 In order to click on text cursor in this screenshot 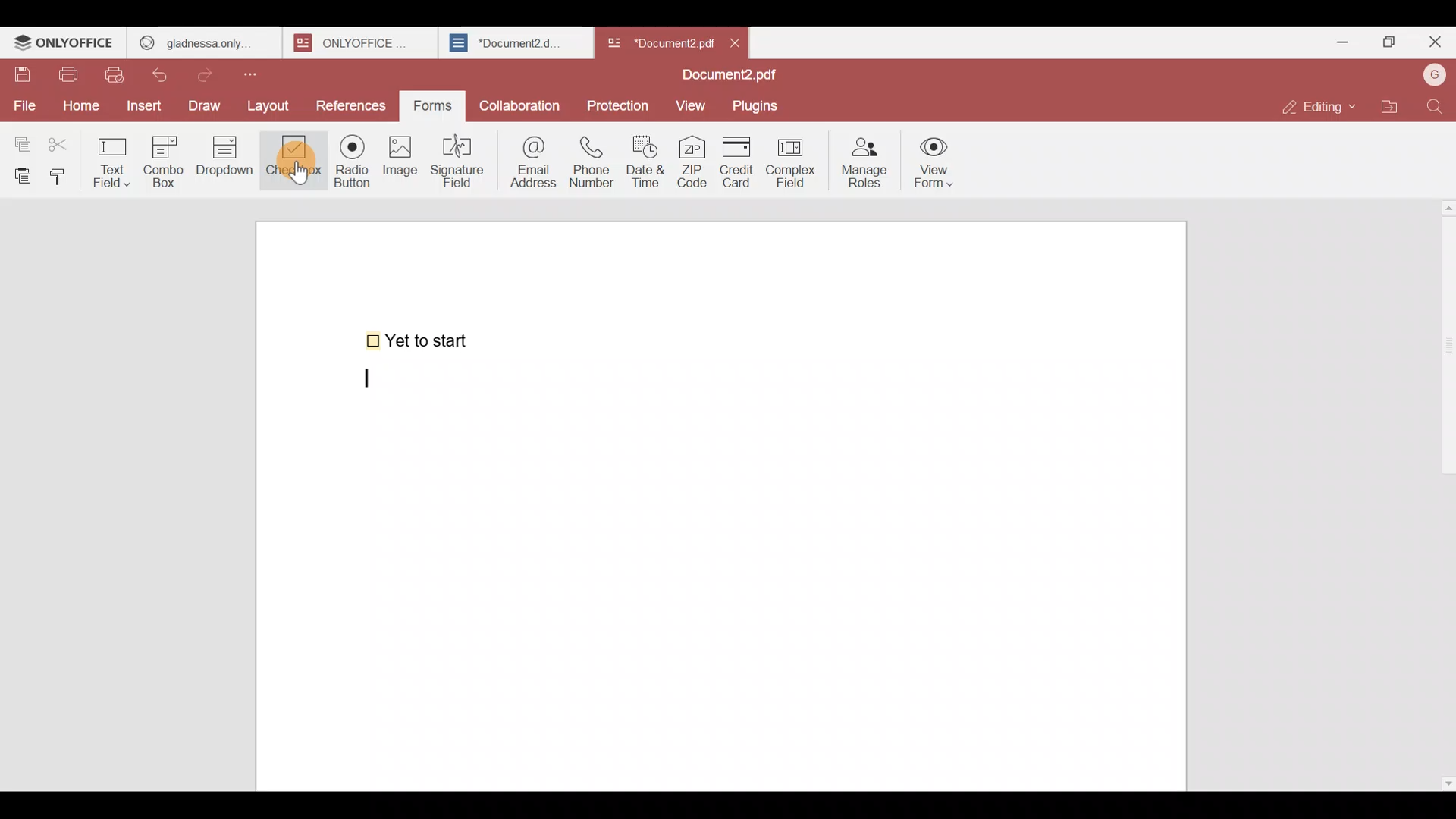, I will do `click(370, 380)`.